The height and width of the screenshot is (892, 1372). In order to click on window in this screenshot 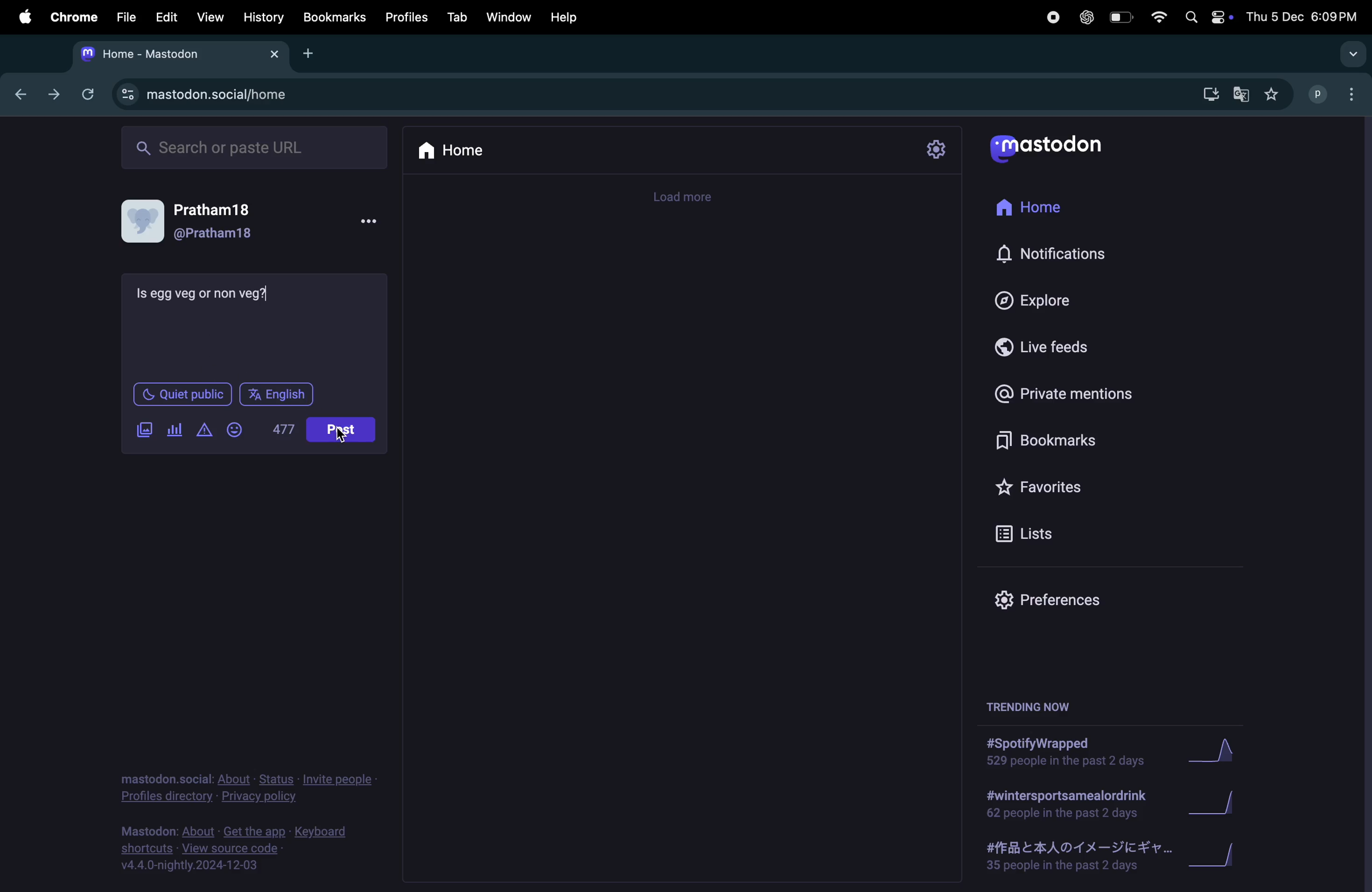, I will do `click(509, 17)`.